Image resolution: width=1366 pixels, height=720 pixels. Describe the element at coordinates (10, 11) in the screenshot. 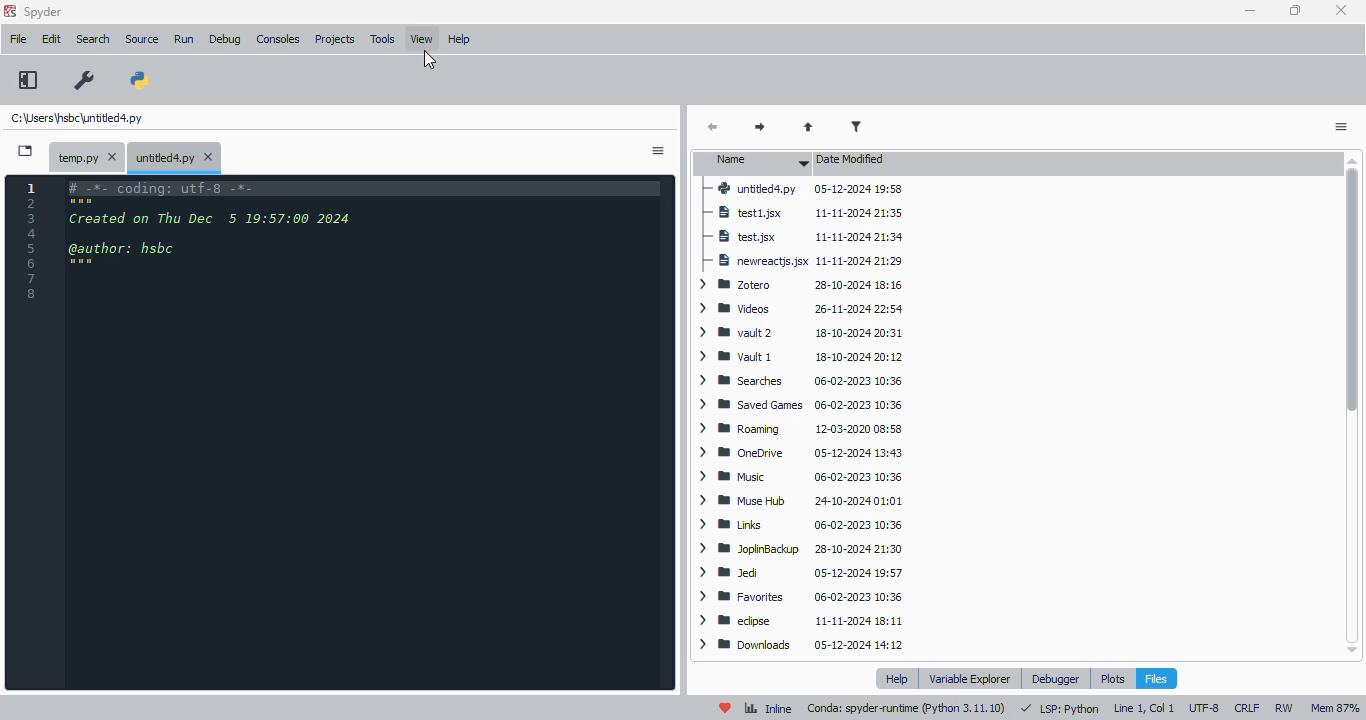

I see `logo` at that location.